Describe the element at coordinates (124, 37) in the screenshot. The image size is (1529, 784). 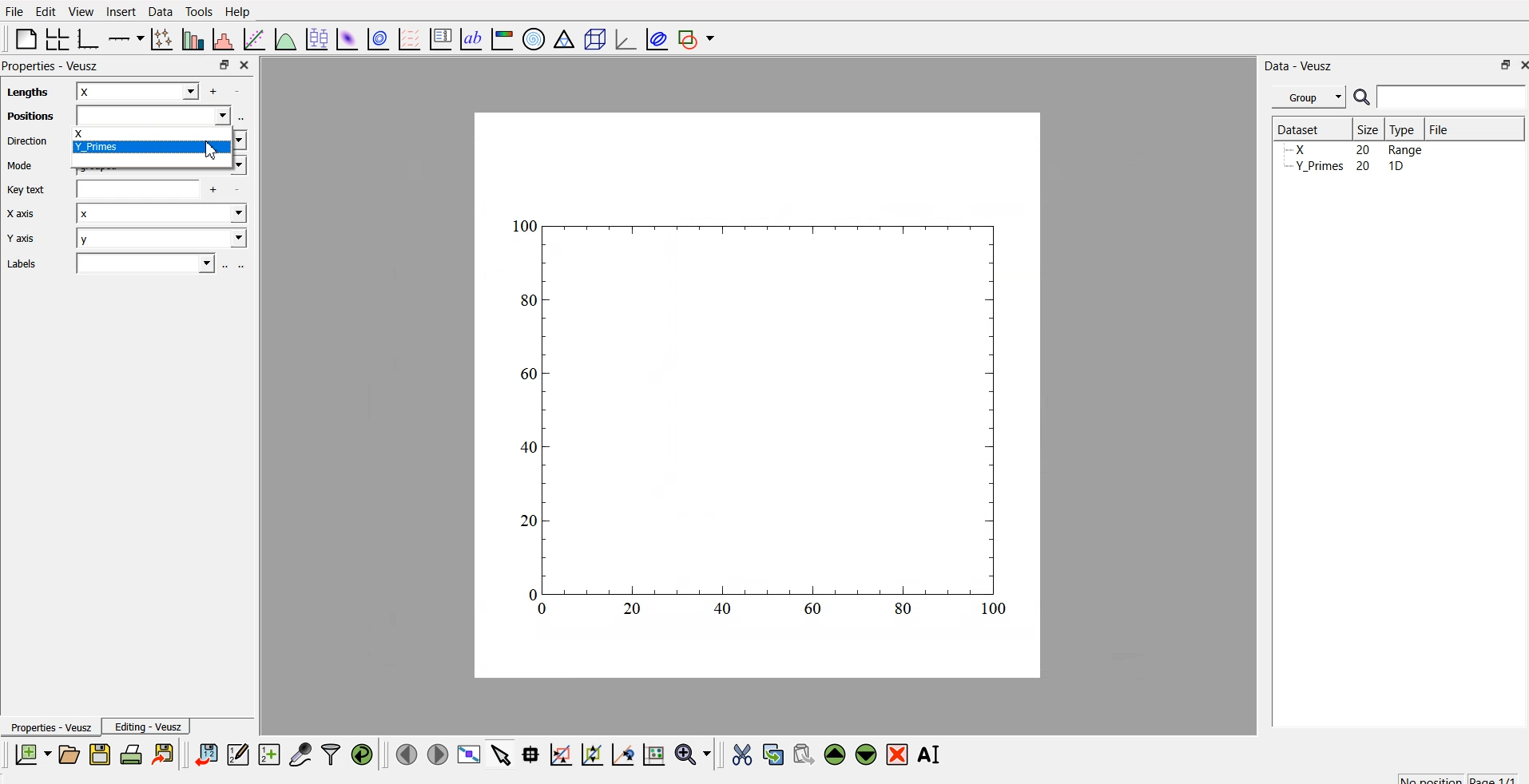
I see `plot on axis` at that location.